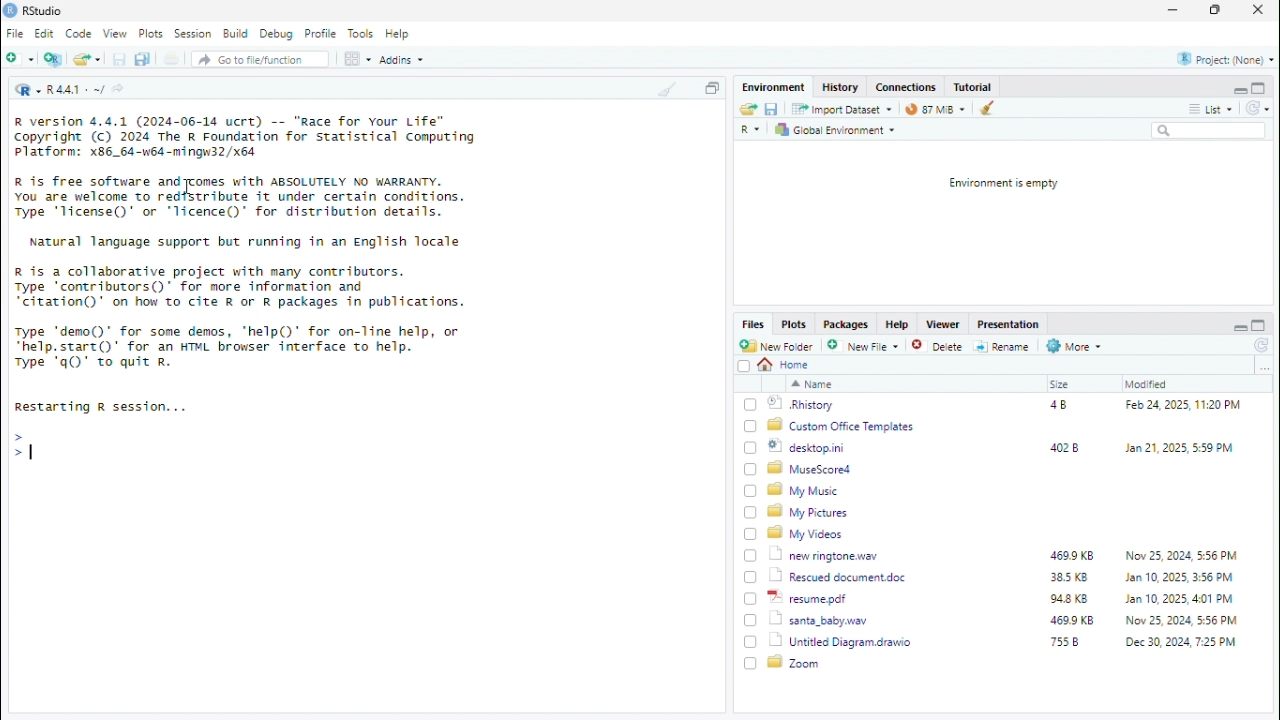  I want to click on Profile, so click(323, 34).